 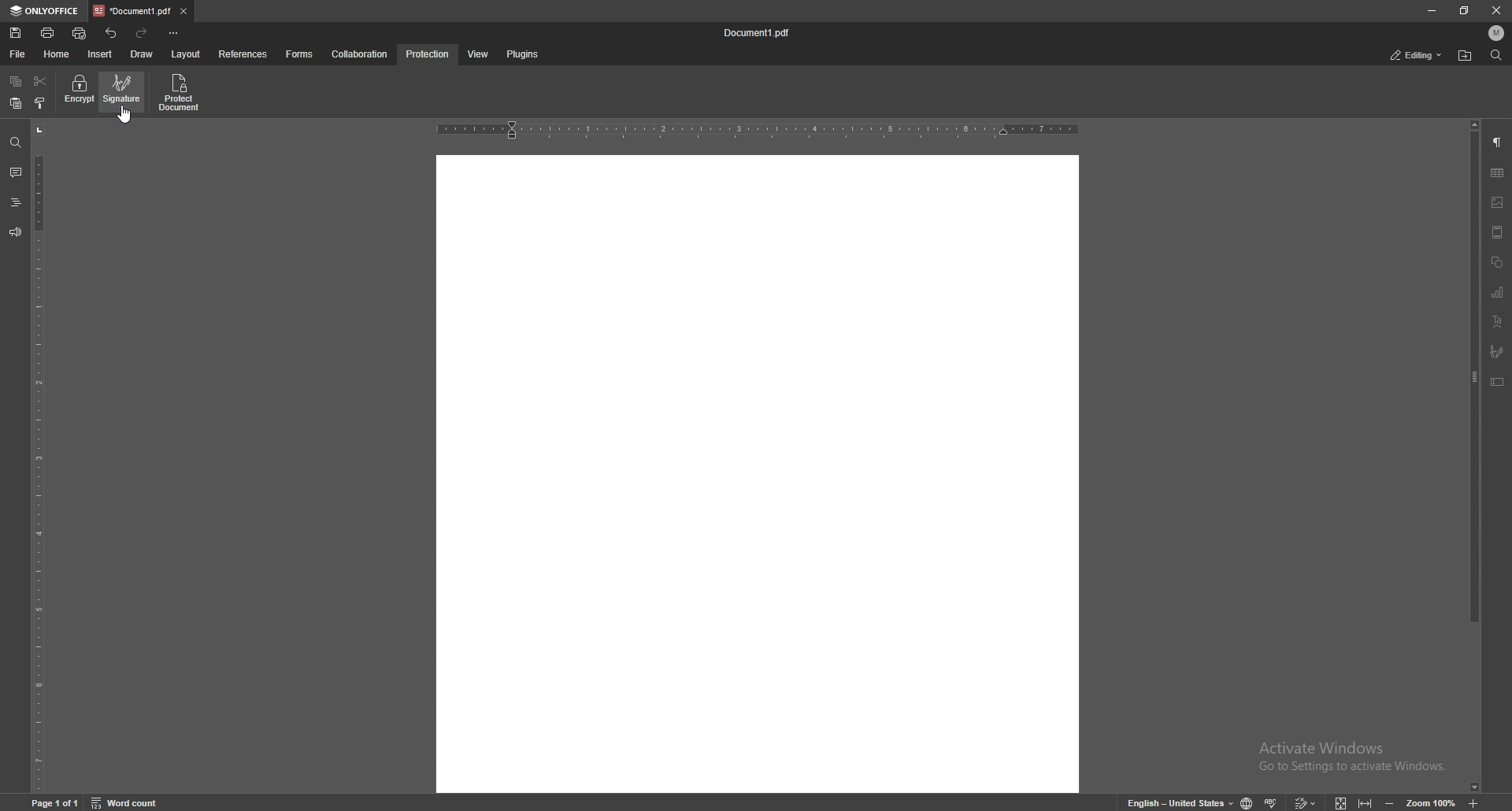 What do you see at coordinates (39, 457) in the screenshot?
I see `vertical scale` at bounding box center [39, 457].